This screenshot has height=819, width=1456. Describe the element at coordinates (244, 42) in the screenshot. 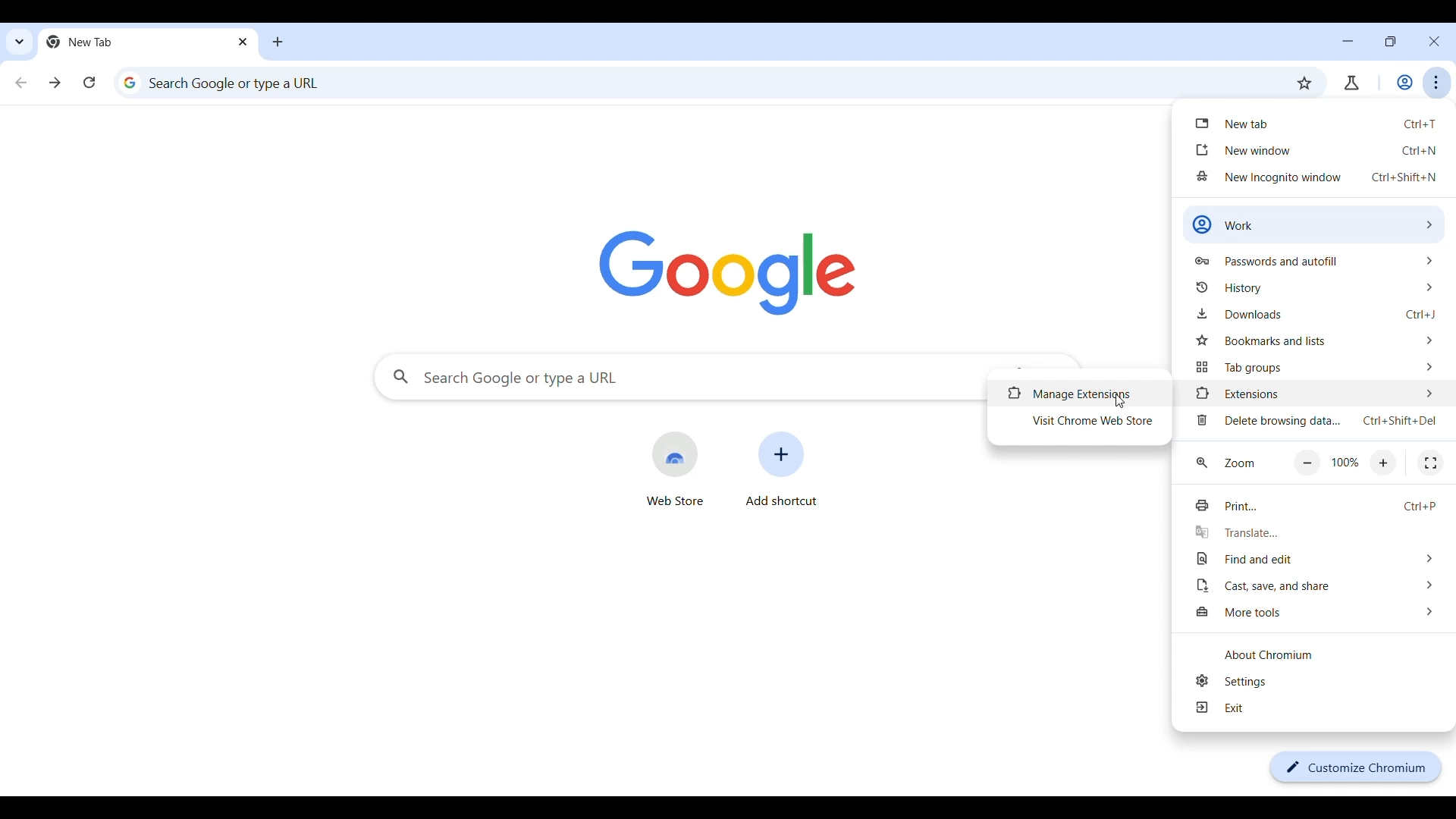

I see `Close tab` at that location.